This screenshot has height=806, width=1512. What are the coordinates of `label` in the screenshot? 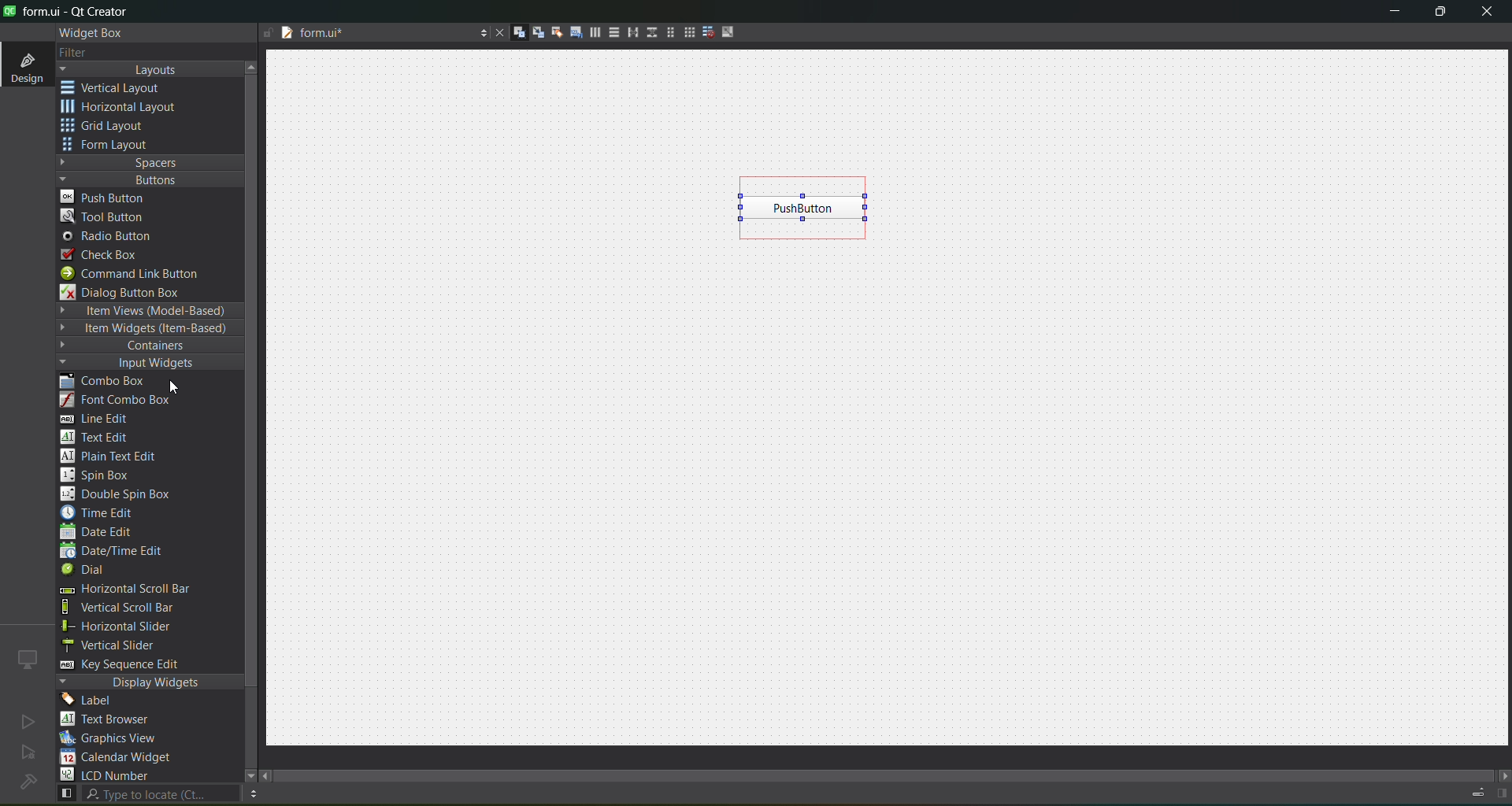 It's located at (91, 701).